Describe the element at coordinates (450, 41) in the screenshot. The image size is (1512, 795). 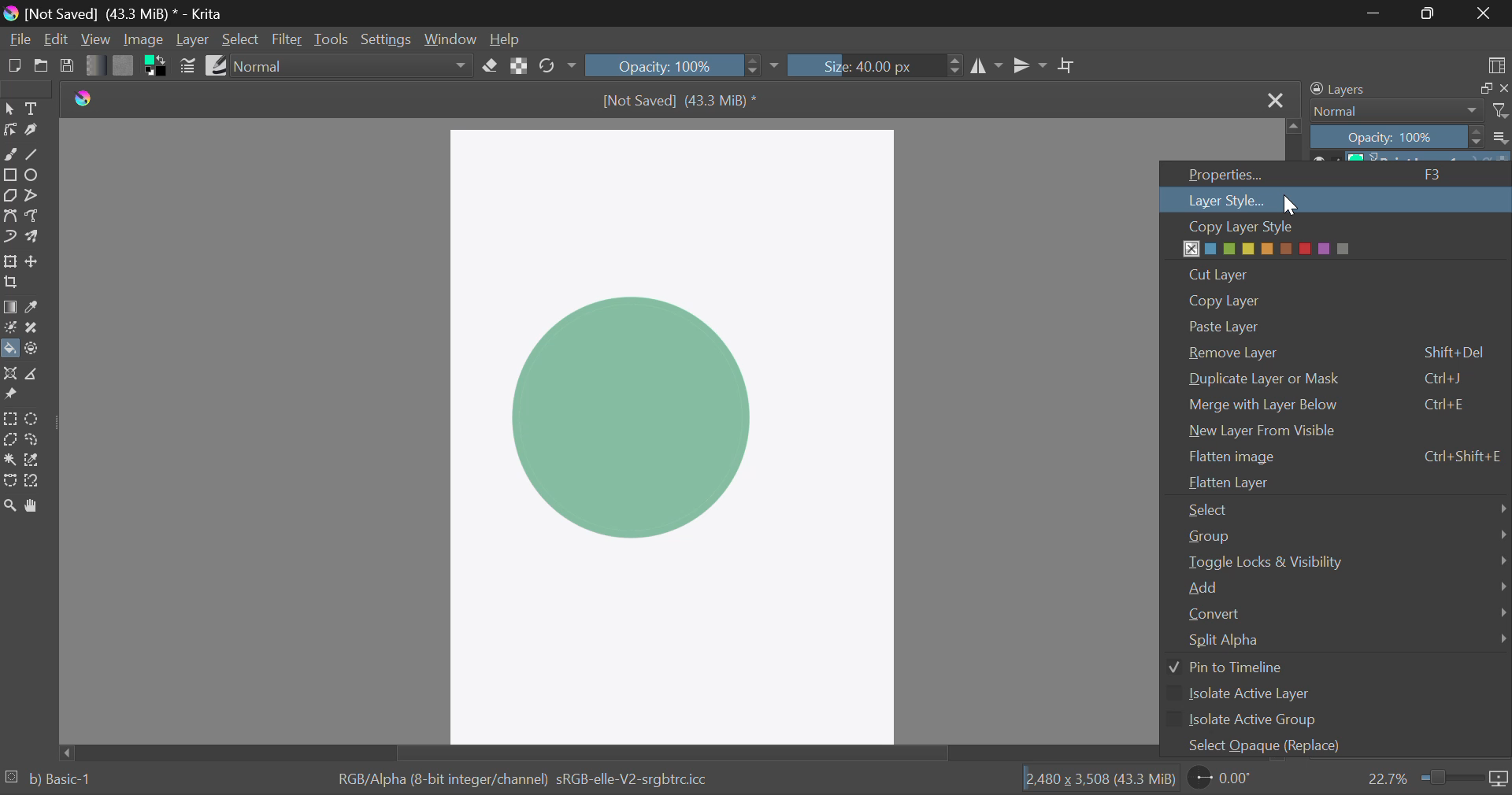
I see `Window` at that location.